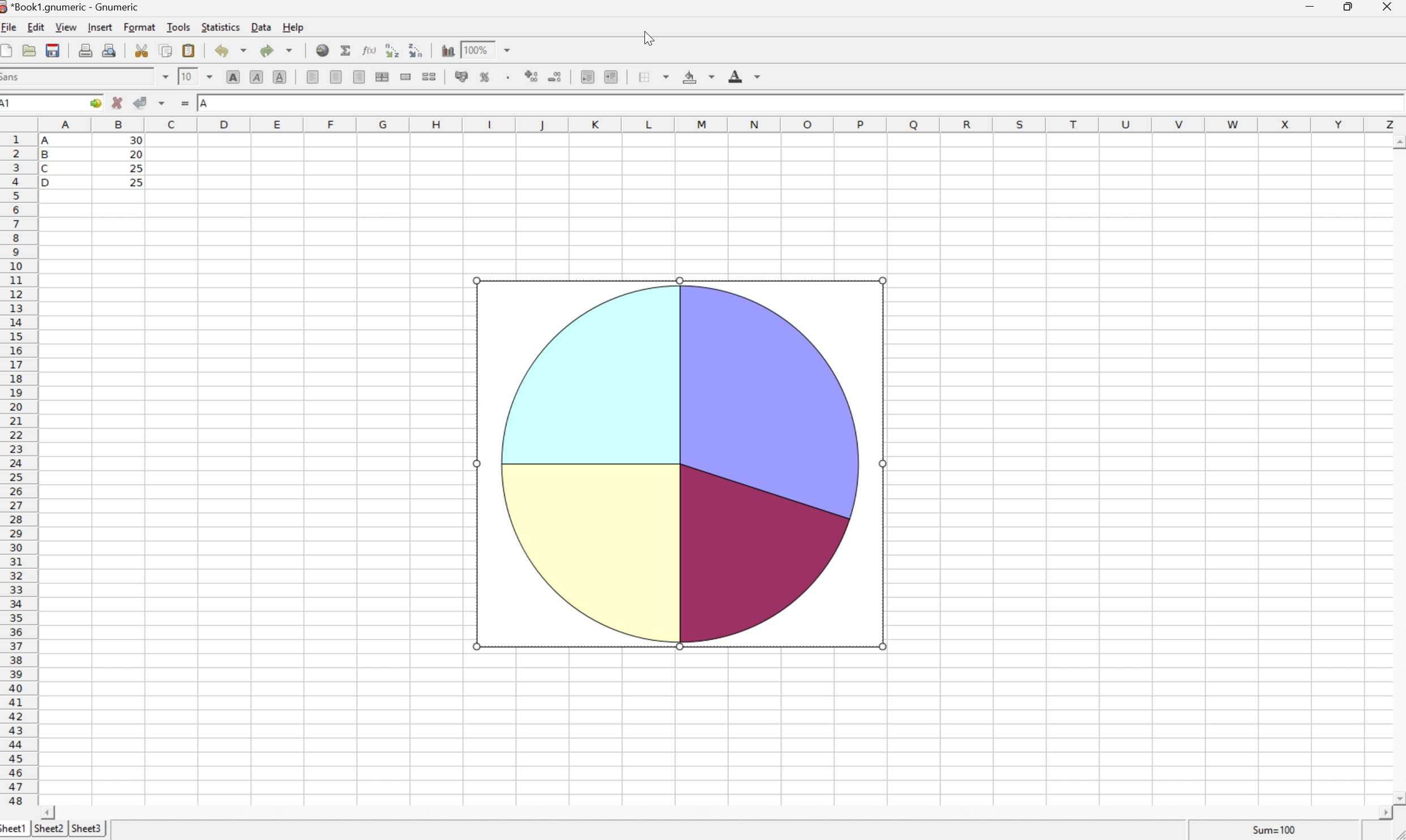  Describe the element at coordinates (187, 76) in the screenshot. I see `10` at that location.